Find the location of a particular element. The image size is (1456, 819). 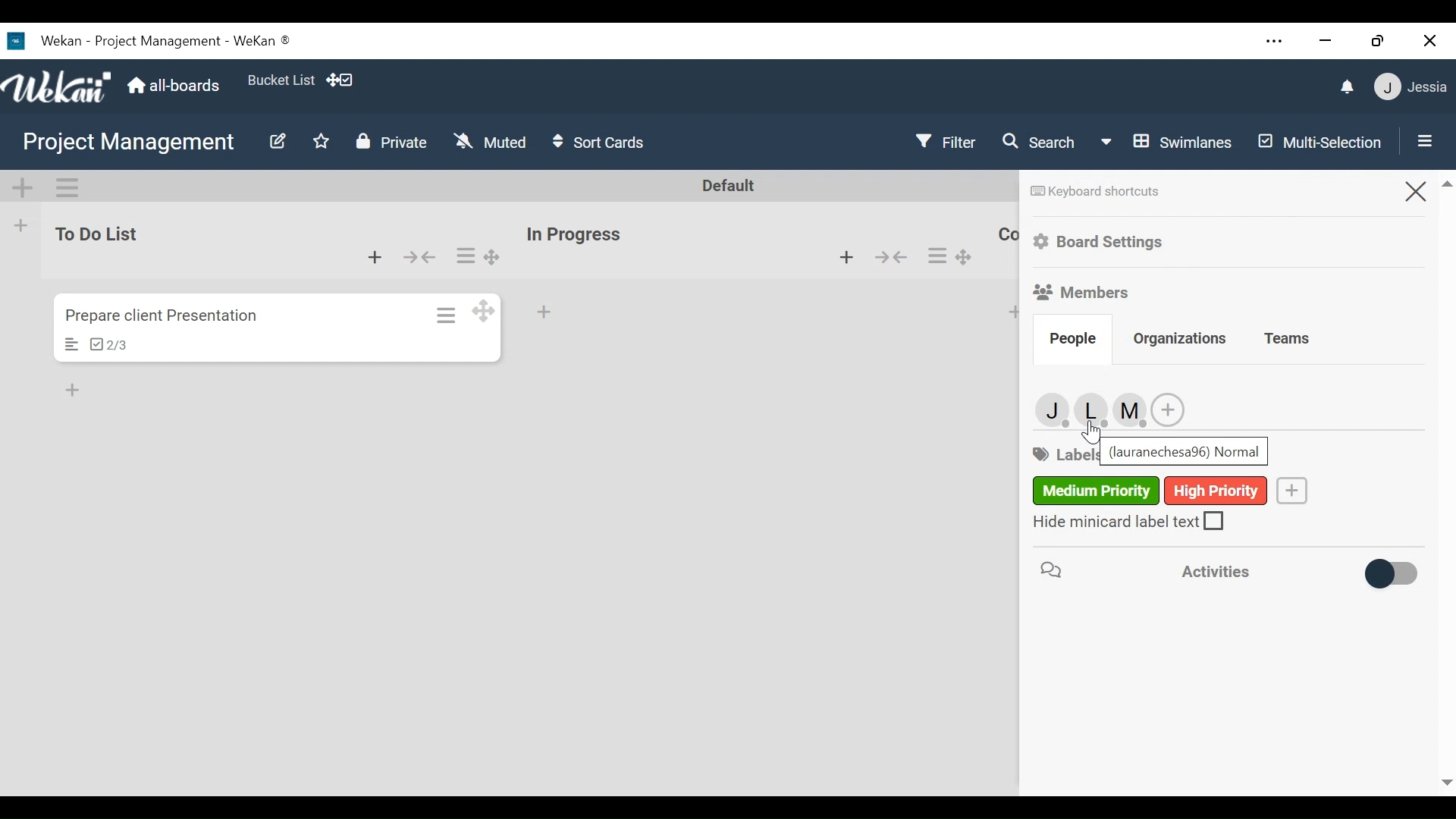

Private is located at coordinates (391, 142).